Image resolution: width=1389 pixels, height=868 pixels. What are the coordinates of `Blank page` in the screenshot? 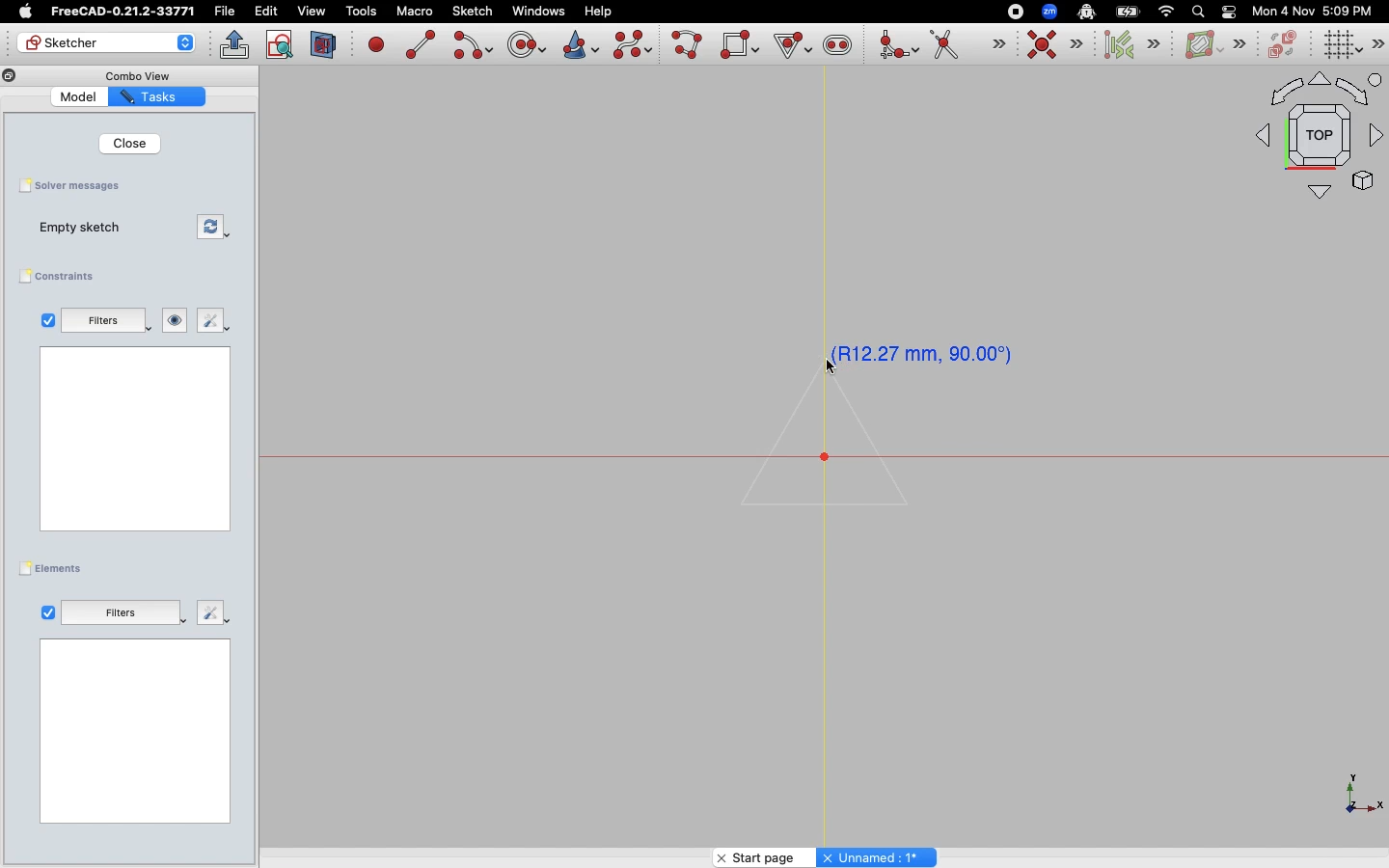 It's located at (134, 438).